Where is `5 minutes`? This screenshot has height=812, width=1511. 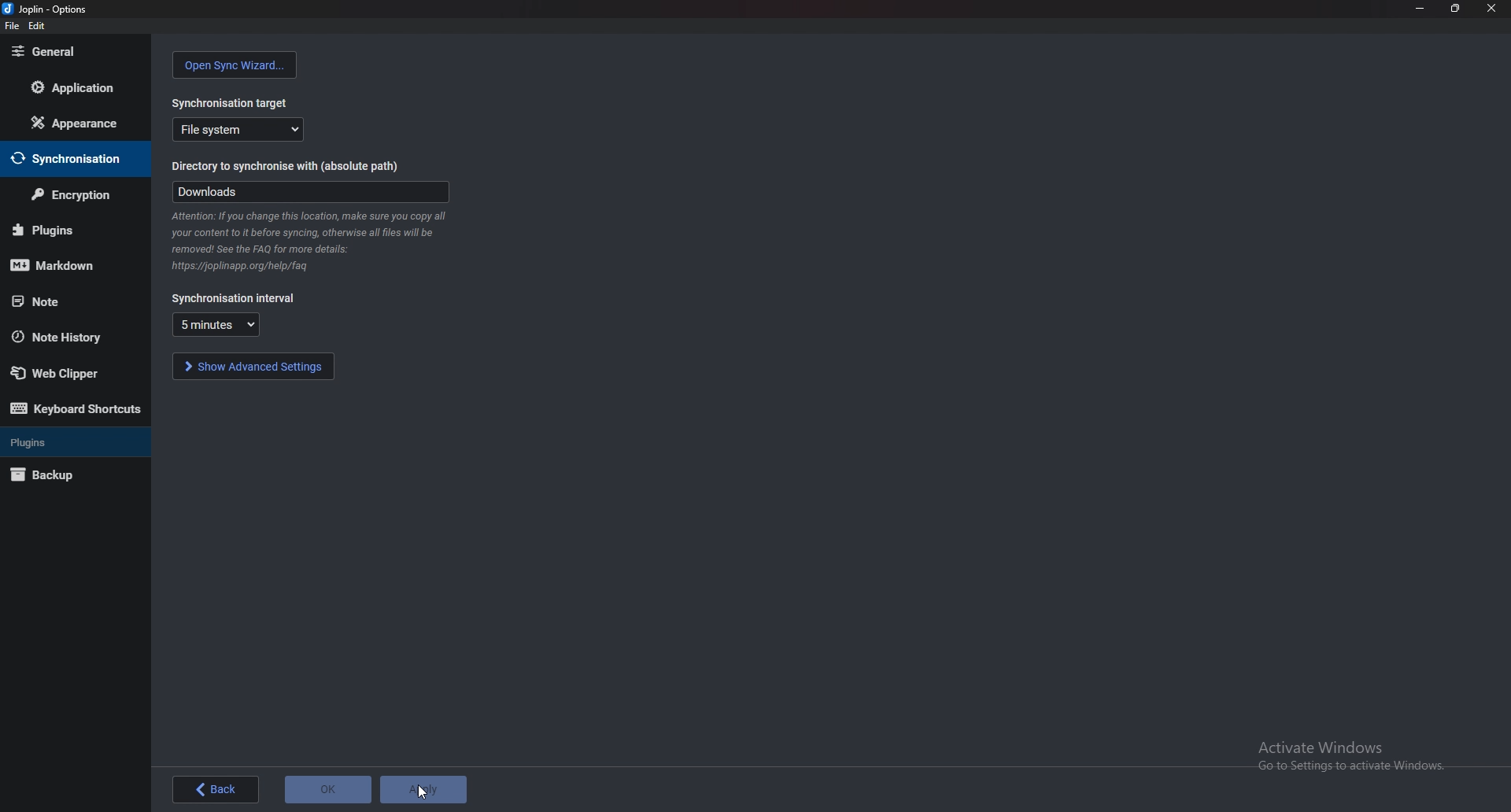
5 minutes is located at coordinates (216, 324).